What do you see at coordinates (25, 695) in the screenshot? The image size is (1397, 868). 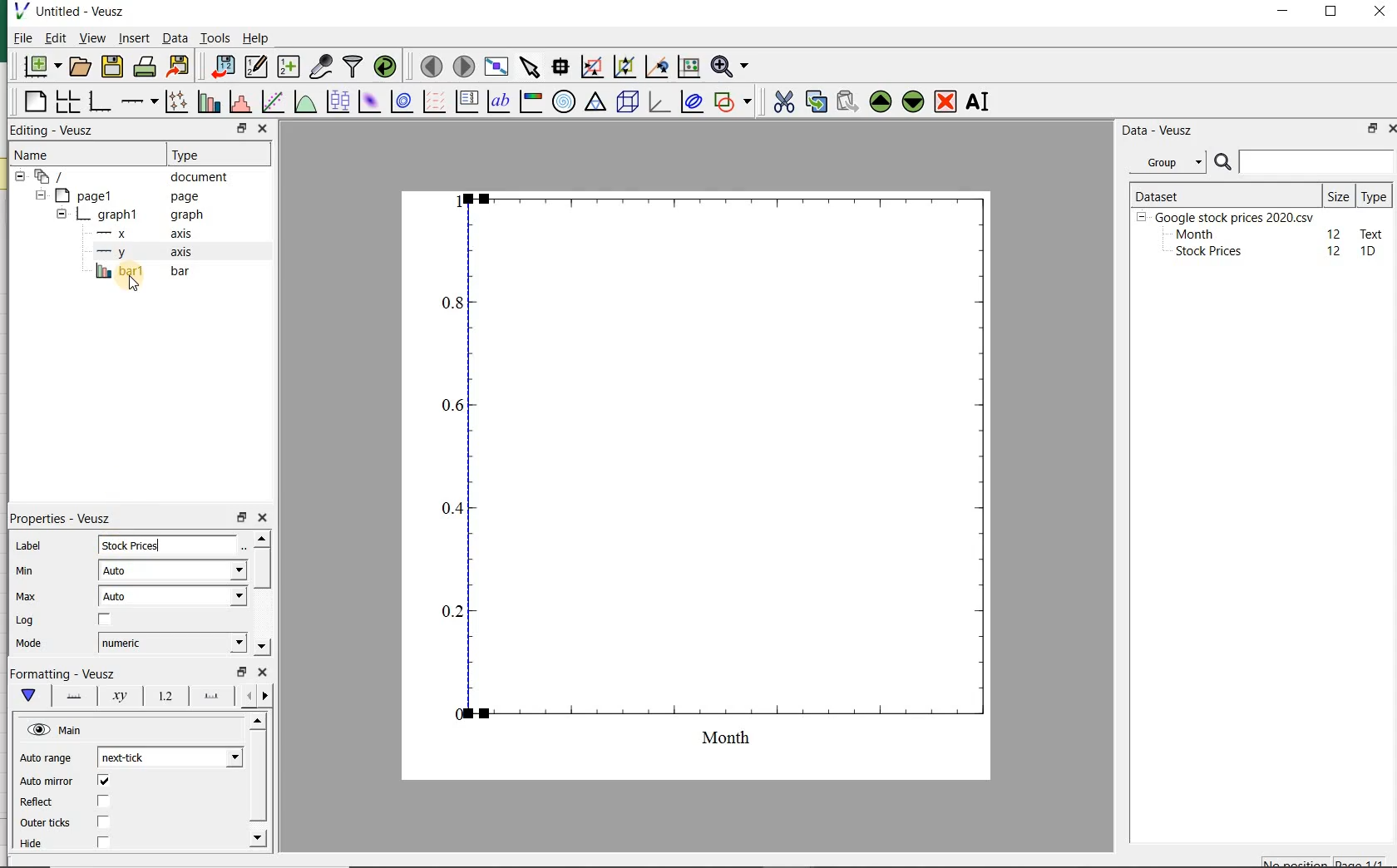 I see `main formatting` at bounding box center [25, 695].